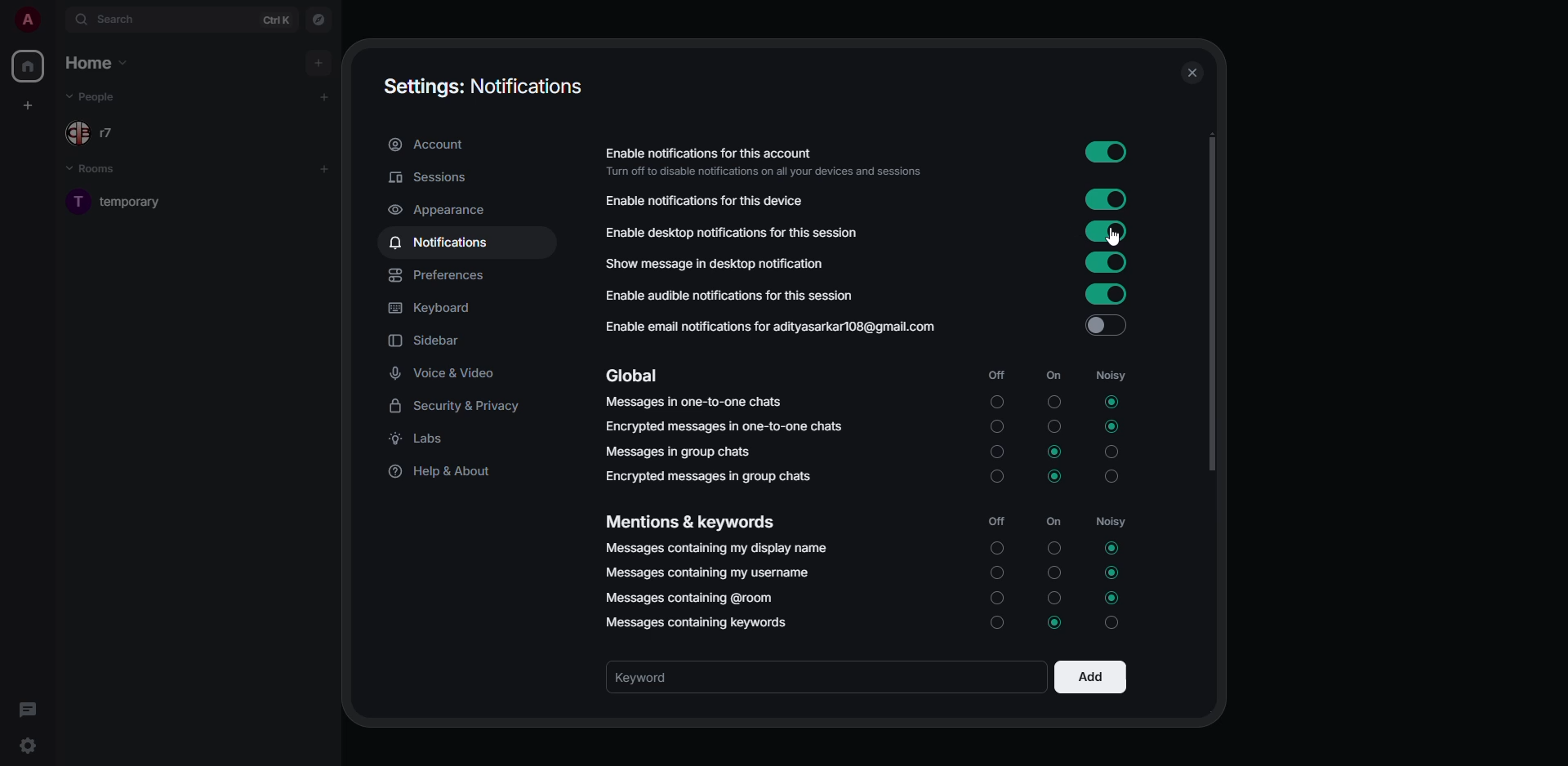 Image resolution: width=1568 pixels, height=766 pixels. Describe the element at coordinates (996, 376) in the screenshot. I see `off` at that location.